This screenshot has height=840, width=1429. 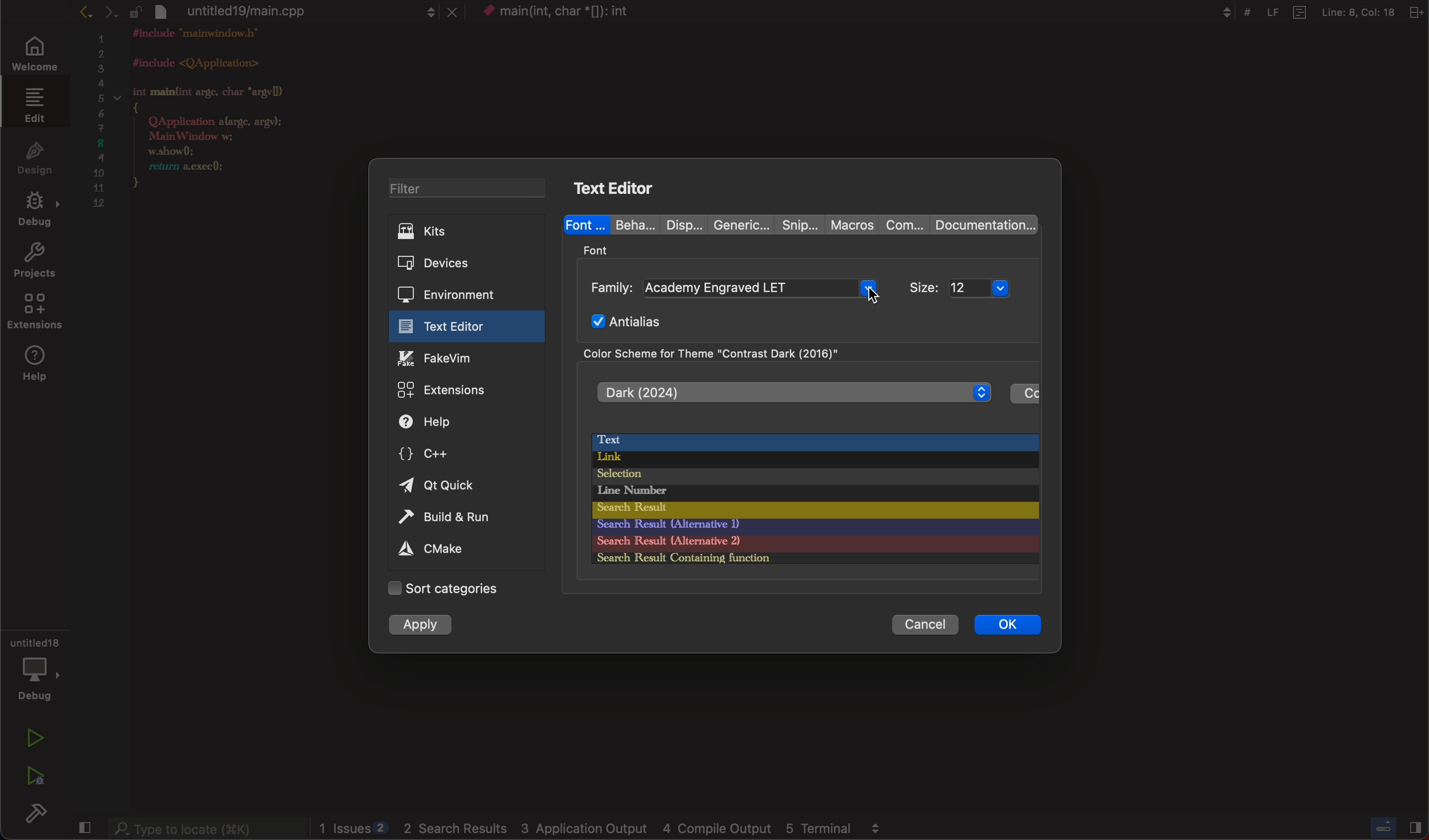 What do you see at coordinates (37, 812) in the screenshot?
I see `build` at bounding box center [37, 812].